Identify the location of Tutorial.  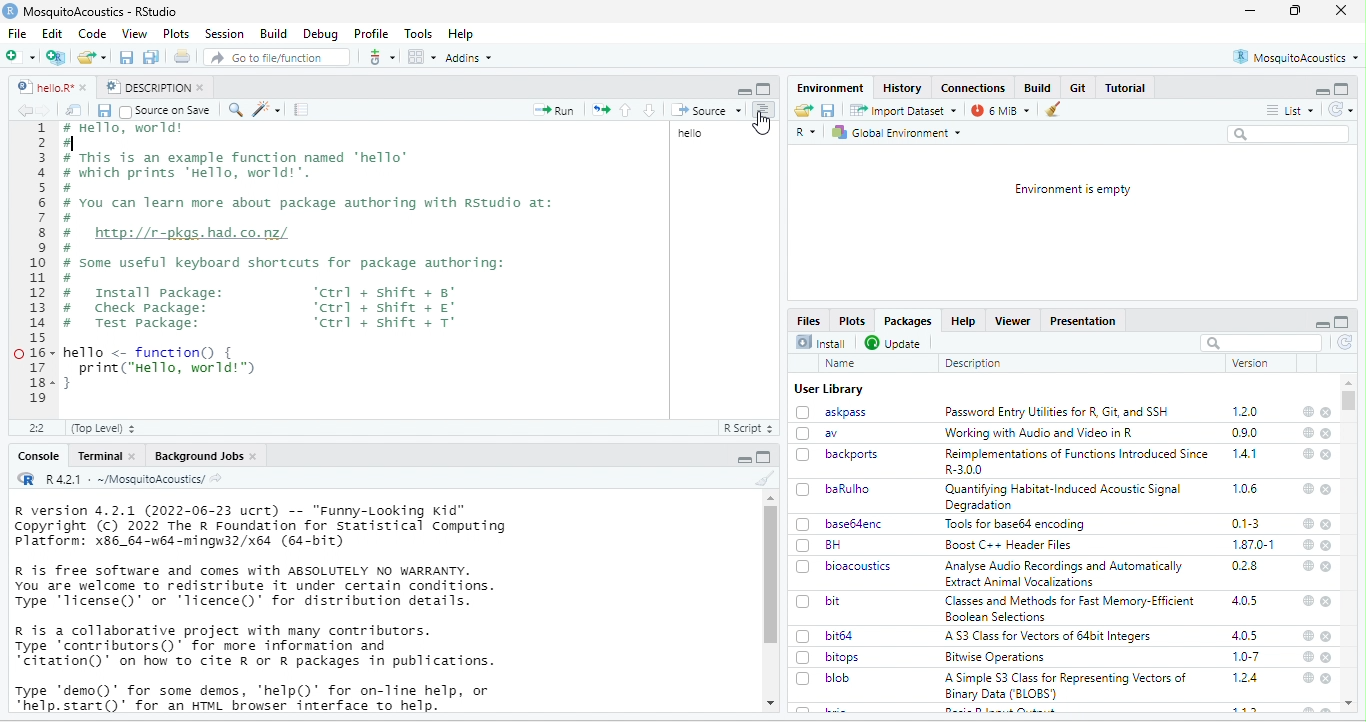
(1125, 88).